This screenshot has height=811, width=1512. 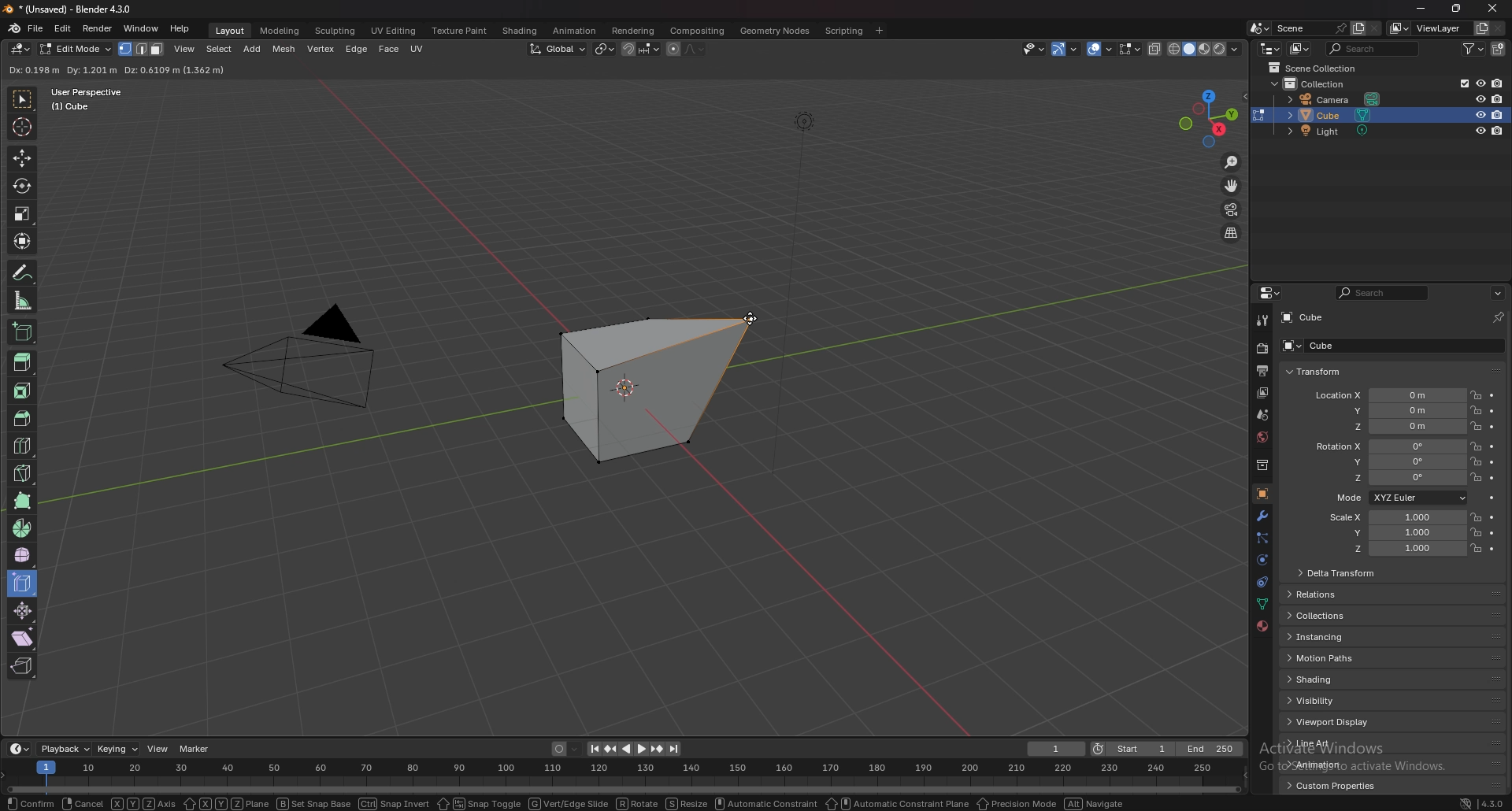 What do you see at coordinates (1317, 83) in the screenshot?
I see `collection` at bounding box center [1317, 83].